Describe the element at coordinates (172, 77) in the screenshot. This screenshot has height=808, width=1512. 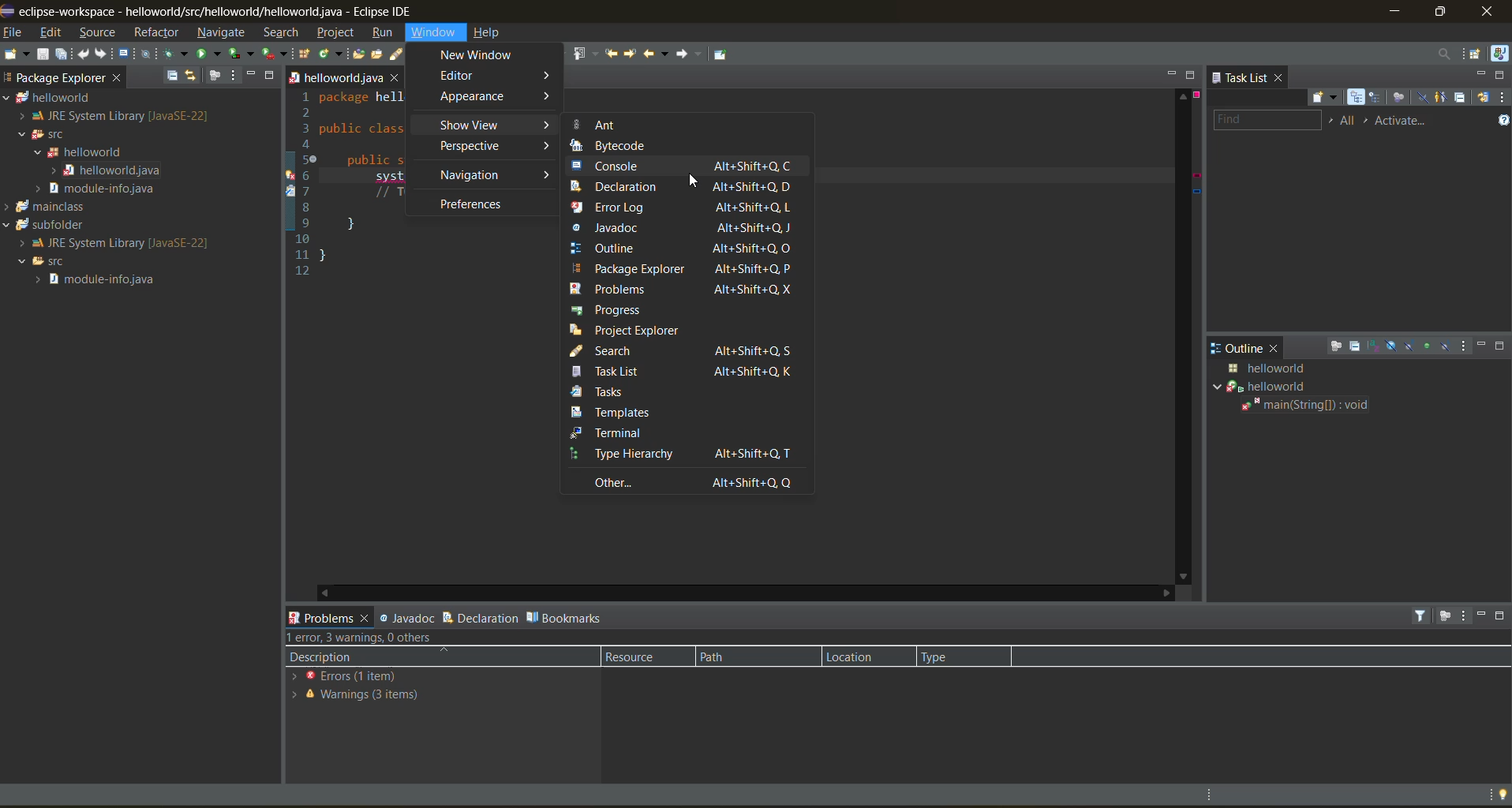
I see `collapse all` at that location.